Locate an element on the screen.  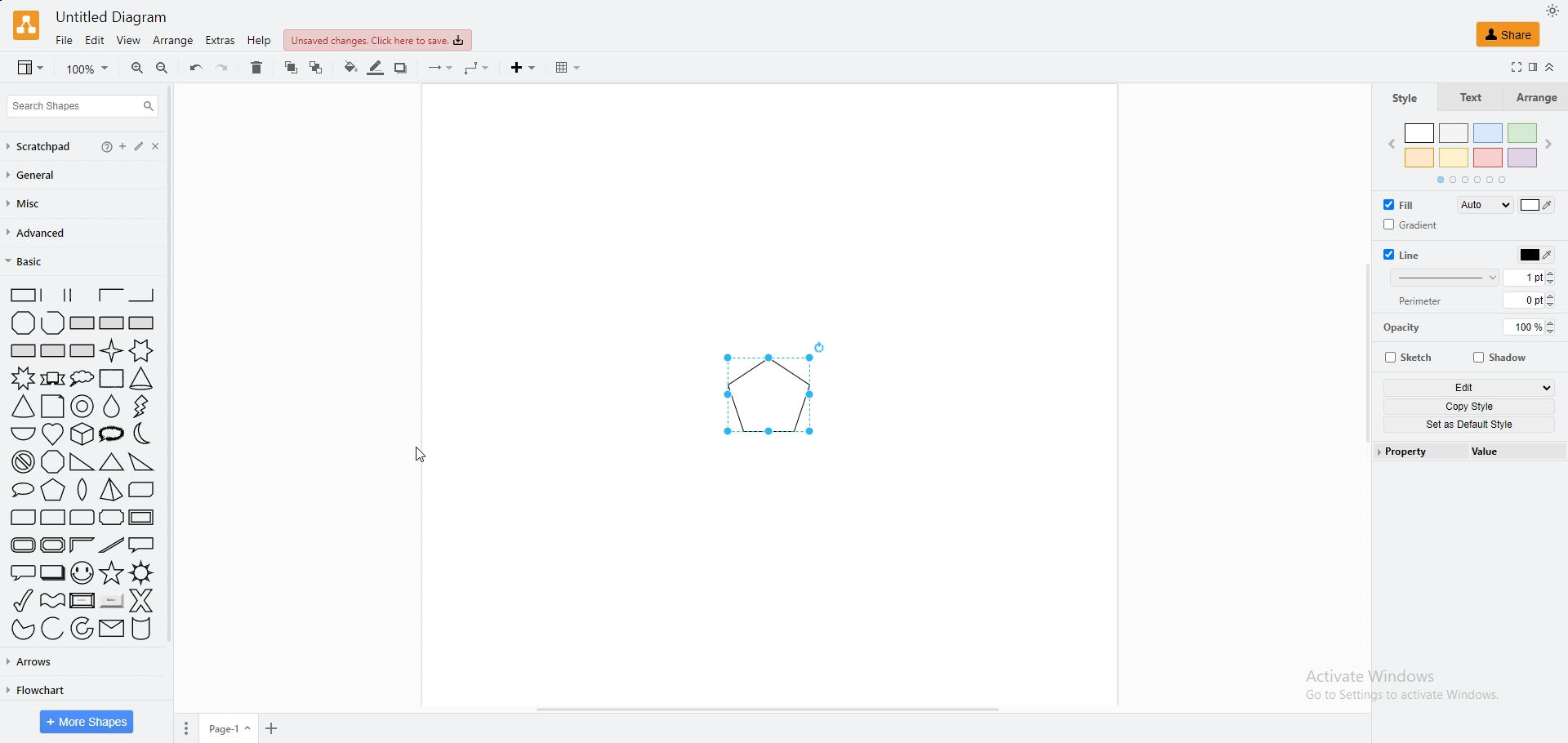
increase opacity is located at coordinates (1555, 321).